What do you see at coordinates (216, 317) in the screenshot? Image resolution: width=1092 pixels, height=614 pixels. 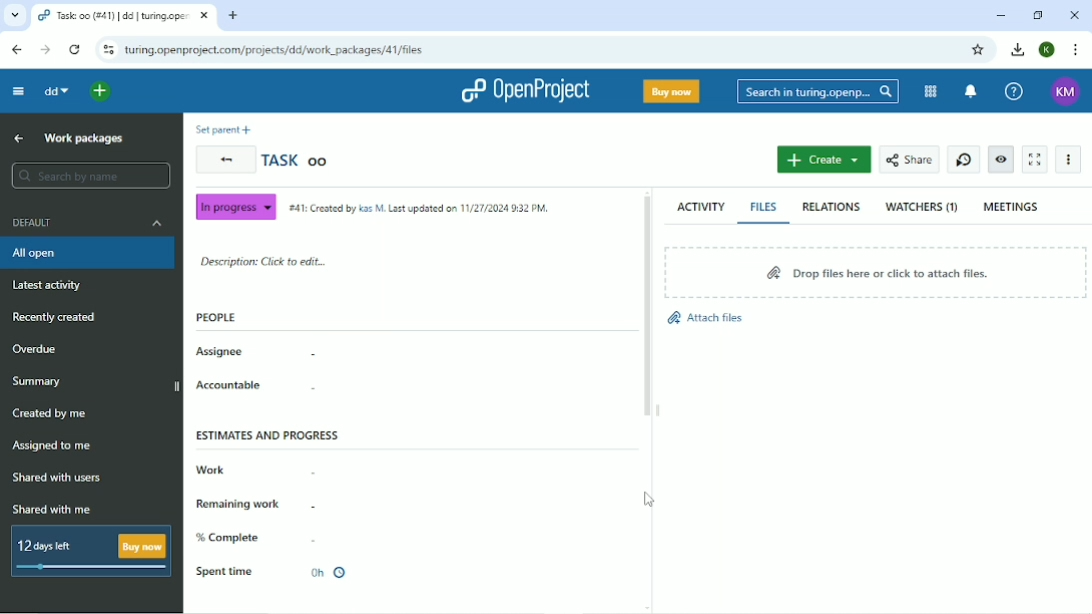 I see `People` at bounding box center [216, 317].